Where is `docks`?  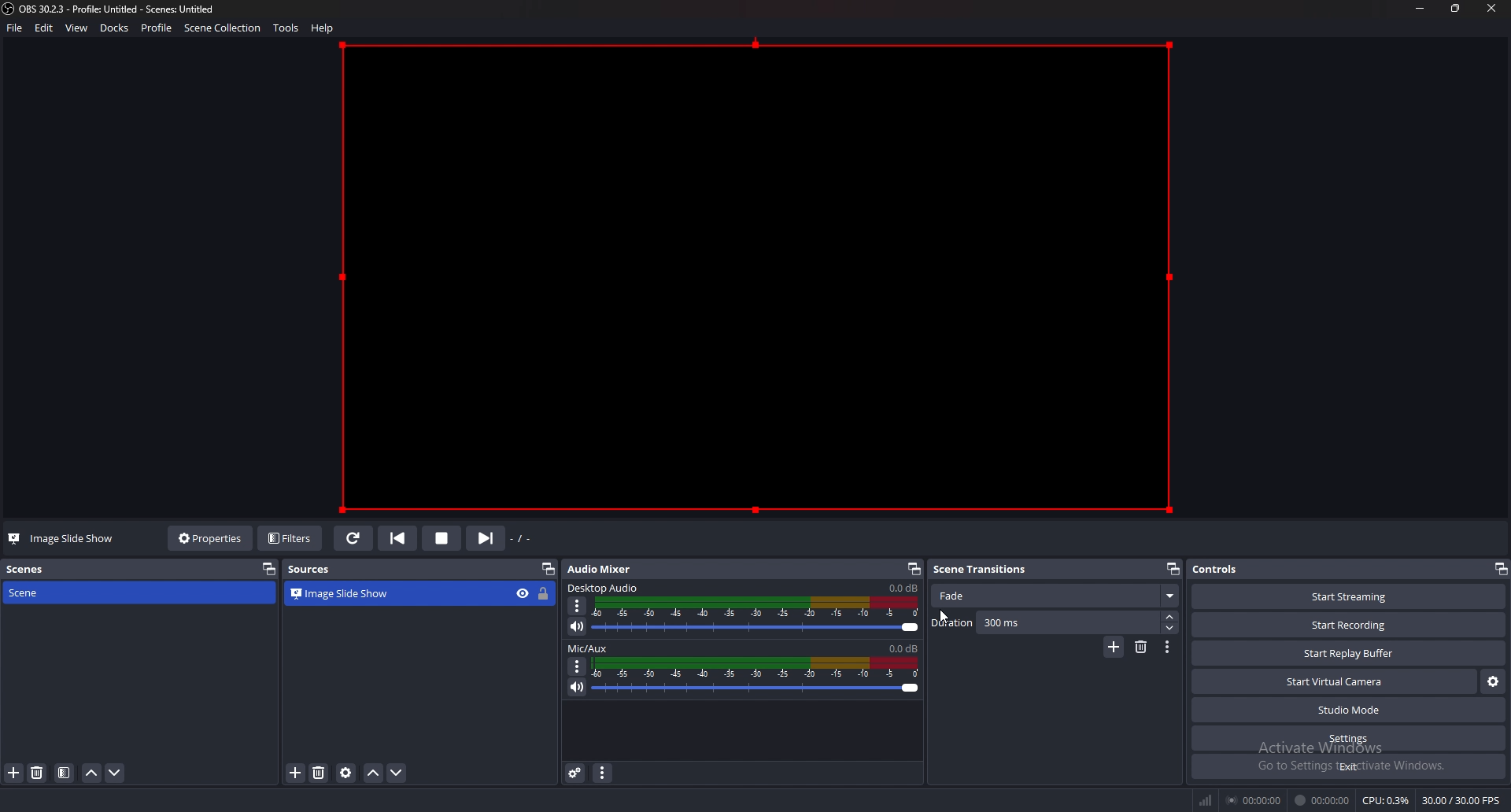 docks is located at coordinates (114, 28).